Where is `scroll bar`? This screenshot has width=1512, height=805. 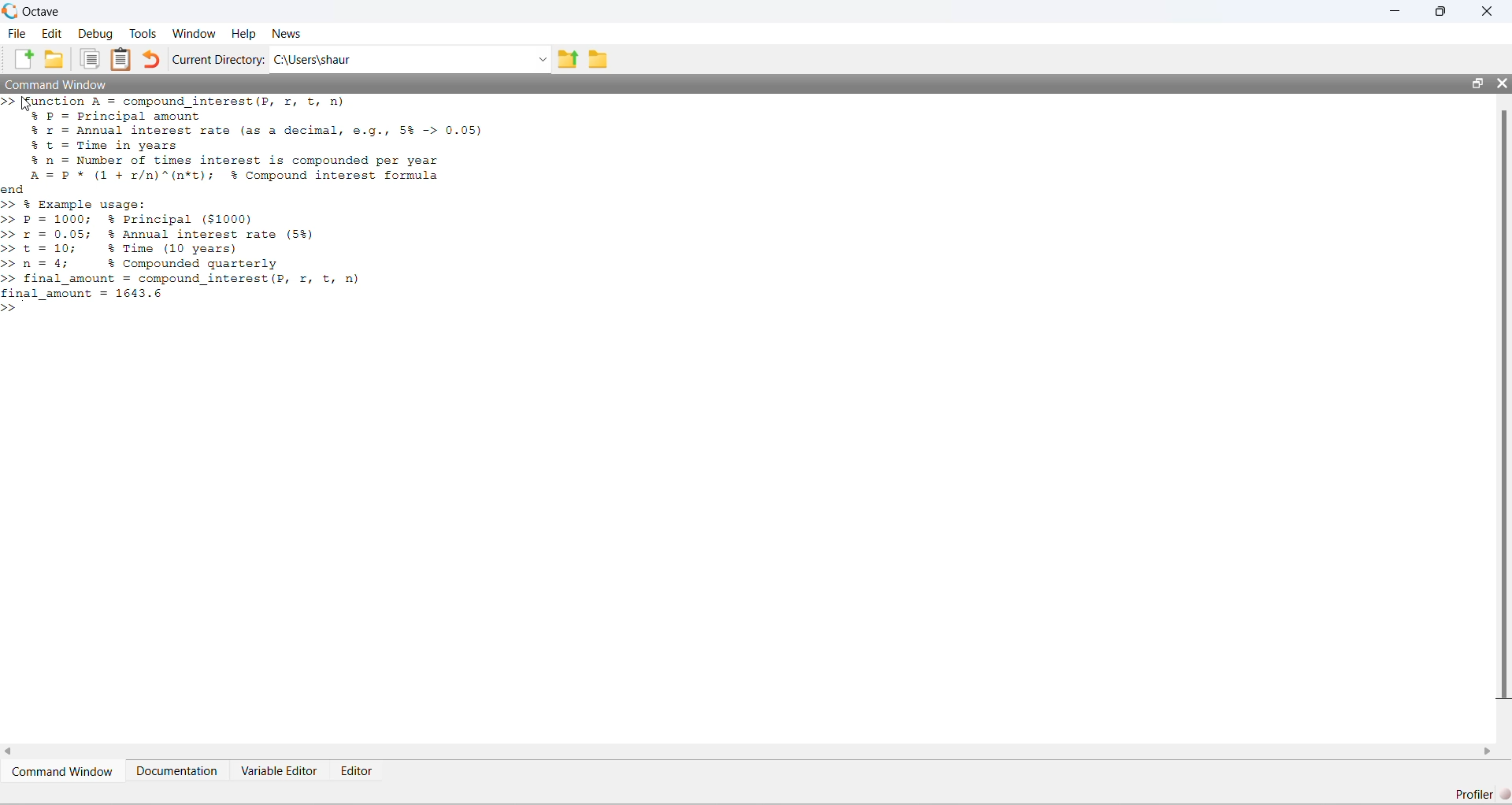 scroll bar is located at coordinates (1504, 406).